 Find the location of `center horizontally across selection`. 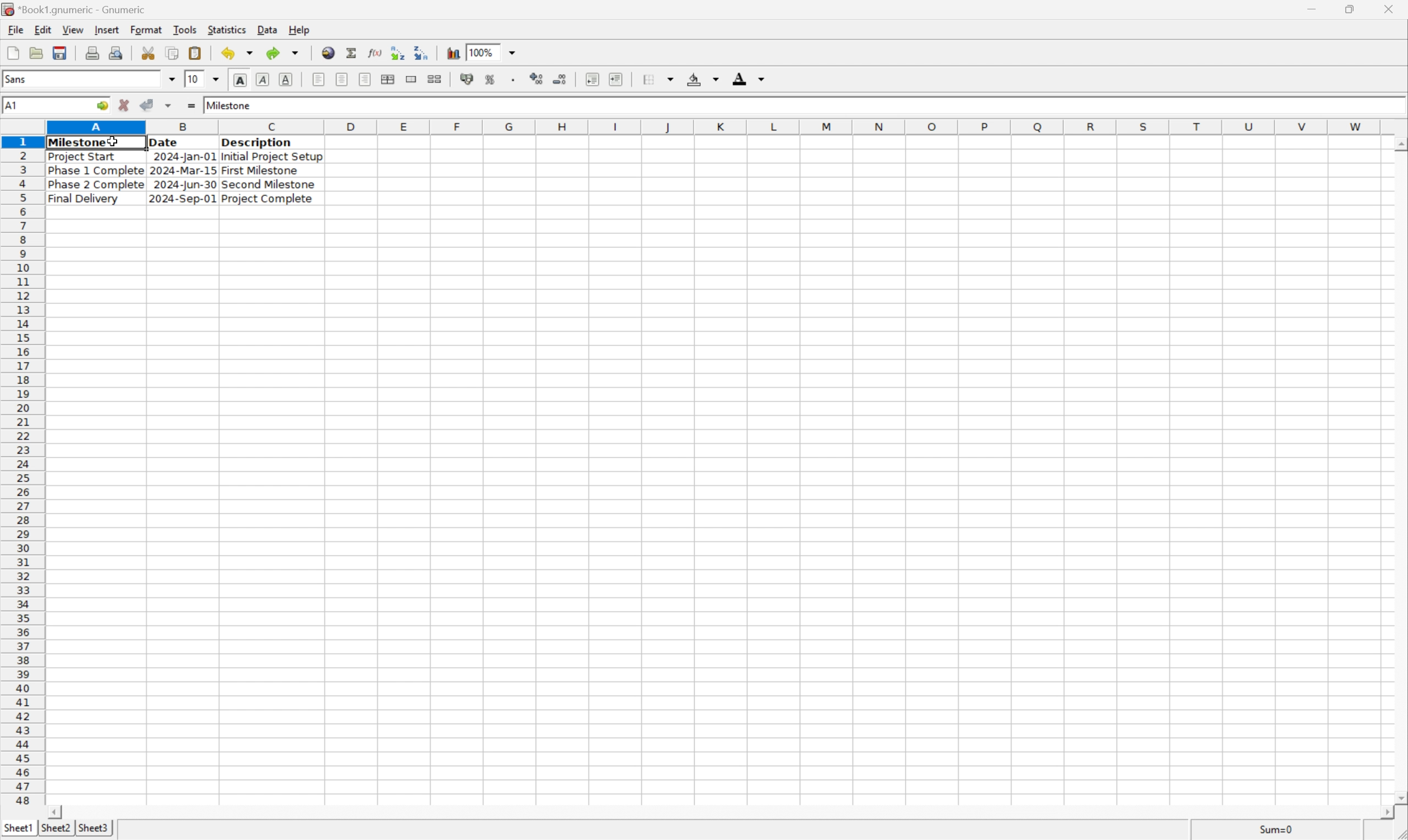

center horizontally across selection is located at coordinates (388, 79).